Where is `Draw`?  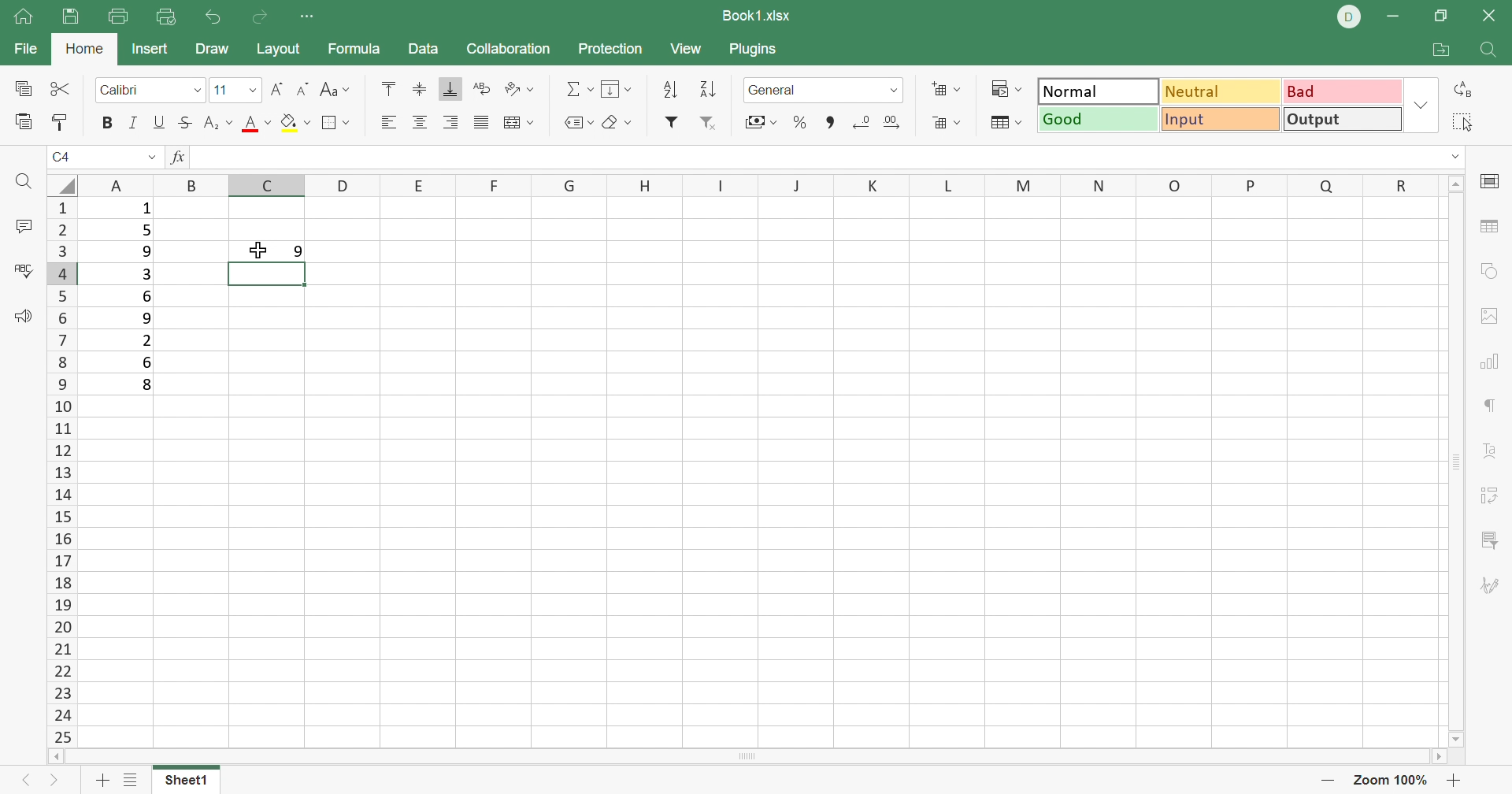
Draw is located at coordinates (211, 50).